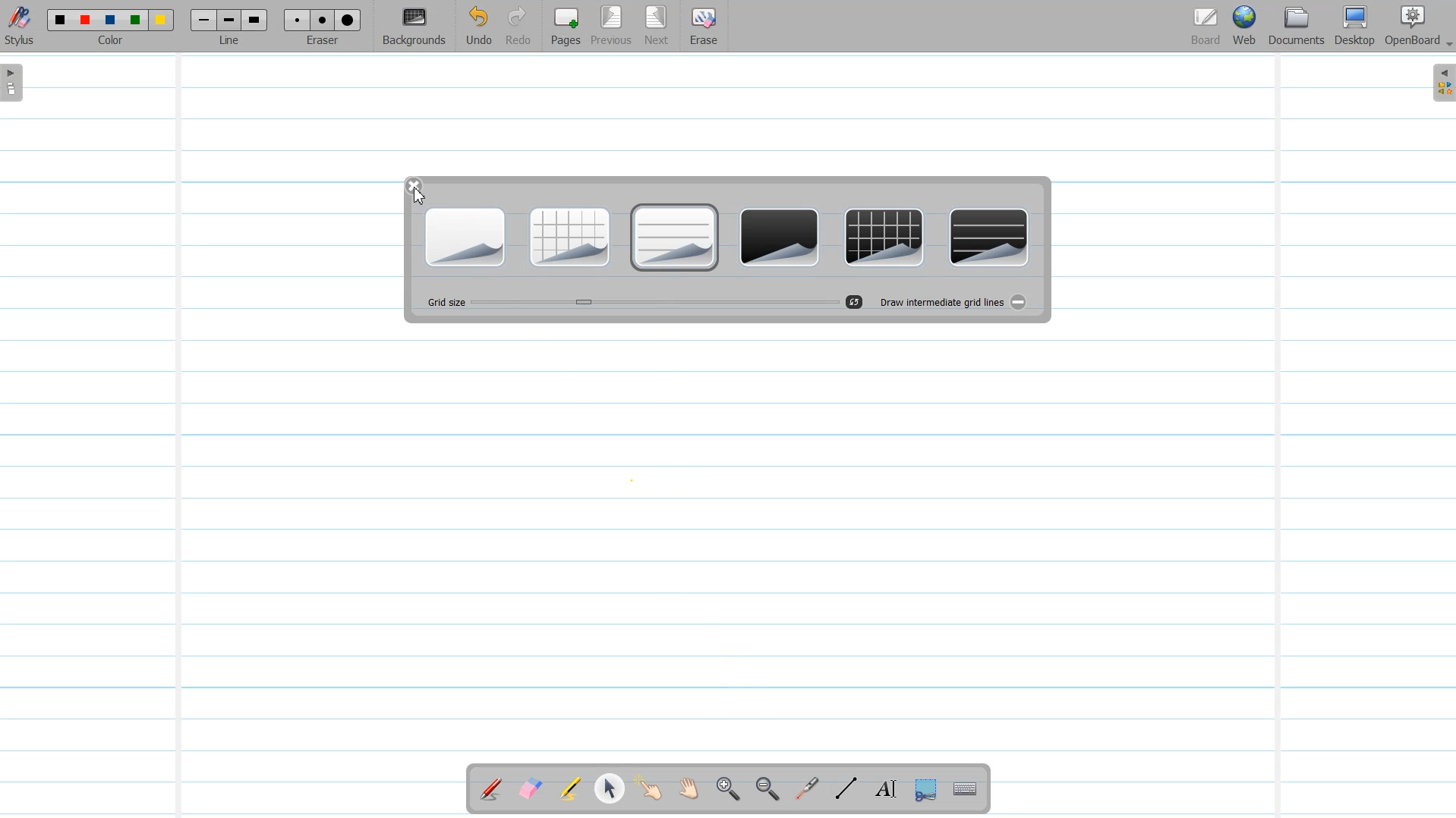 The width and height of the screenshot is (1456, 818). Describe the element at coordinates (420, 198) in the screenshot. I see `Cursor` at that location.